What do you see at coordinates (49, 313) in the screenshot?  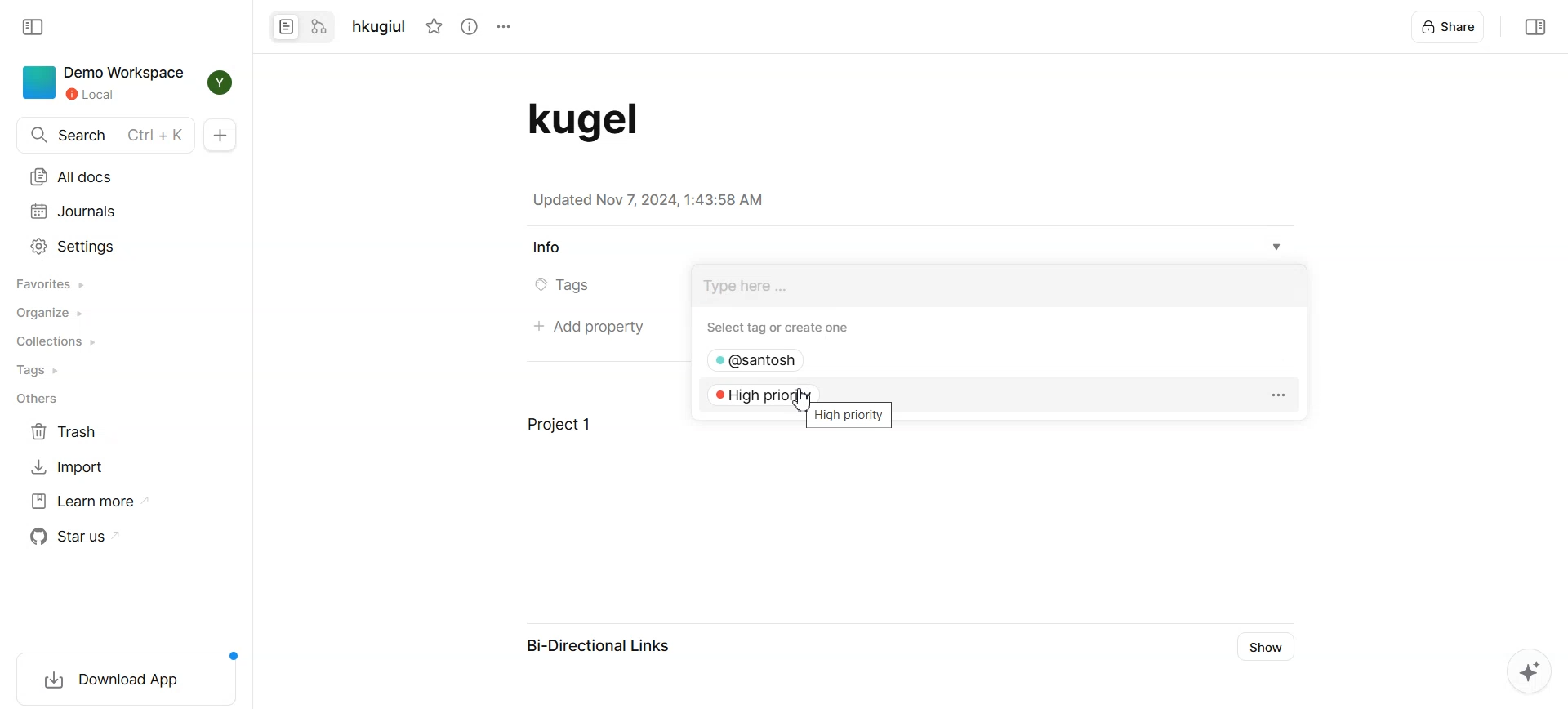 I see `Organize` at bounding box center [49, 313].